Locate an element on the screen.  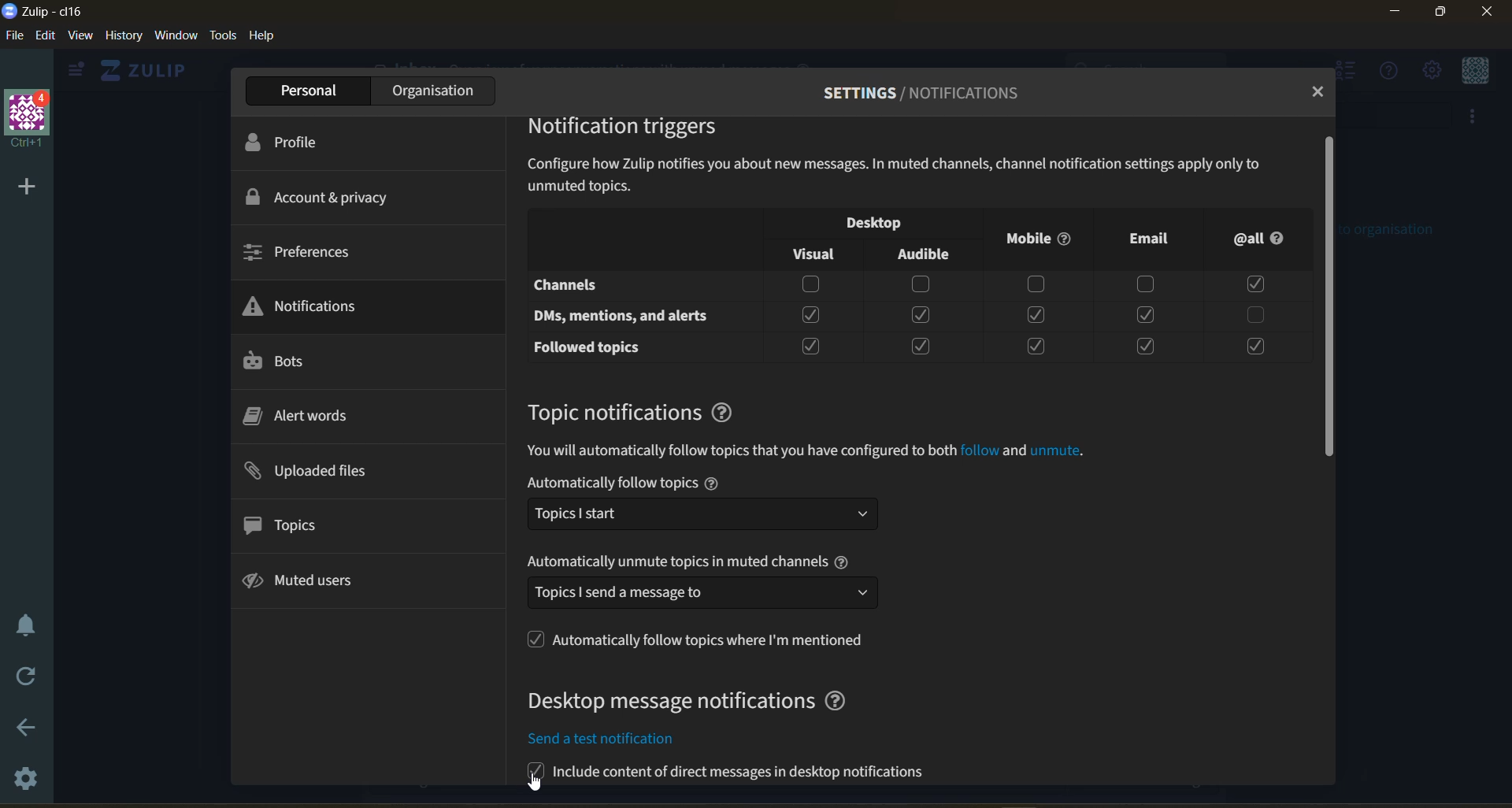
desktop message notifications is located at coordinates (692, 702).